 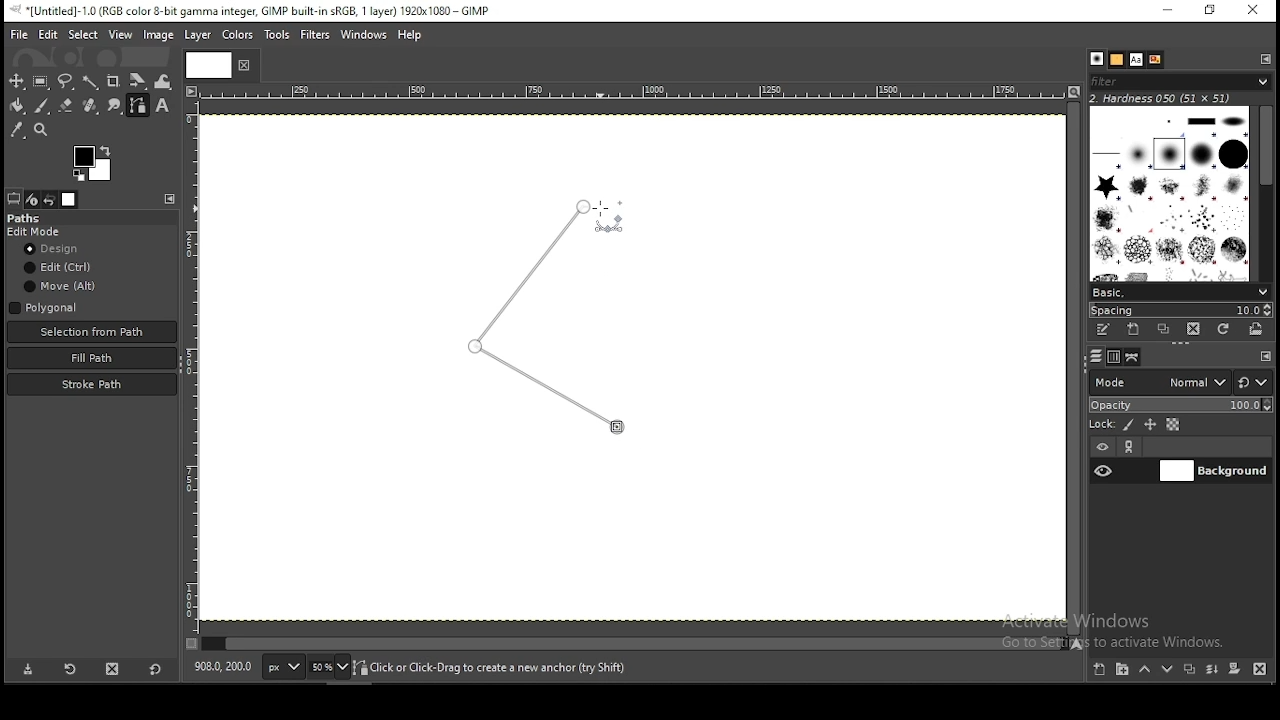 I want to click on file, so click(x=19, y=35).